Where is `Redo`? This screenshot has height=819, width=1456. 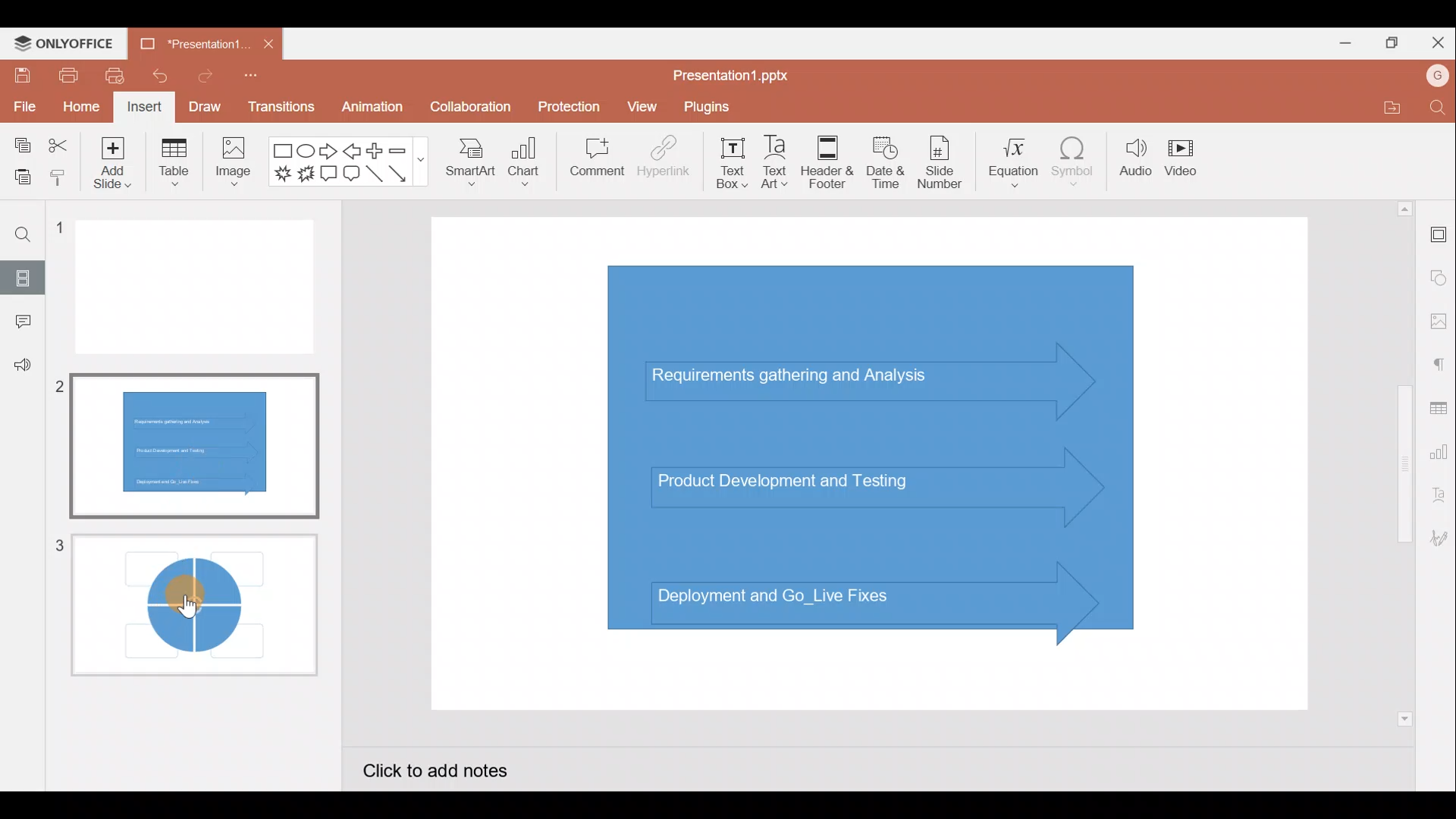 Redo is located at coordinates (201, 80).